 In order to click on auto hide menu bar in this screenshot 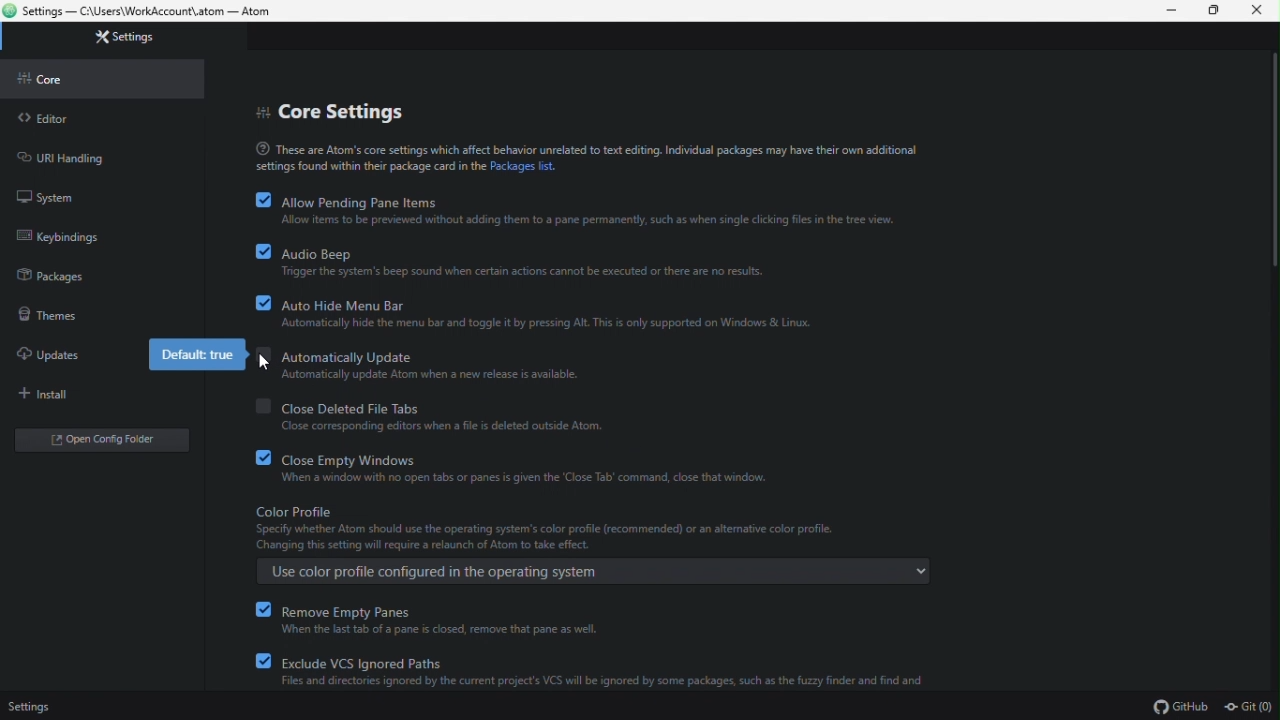, I will do `click(536, 312)`.